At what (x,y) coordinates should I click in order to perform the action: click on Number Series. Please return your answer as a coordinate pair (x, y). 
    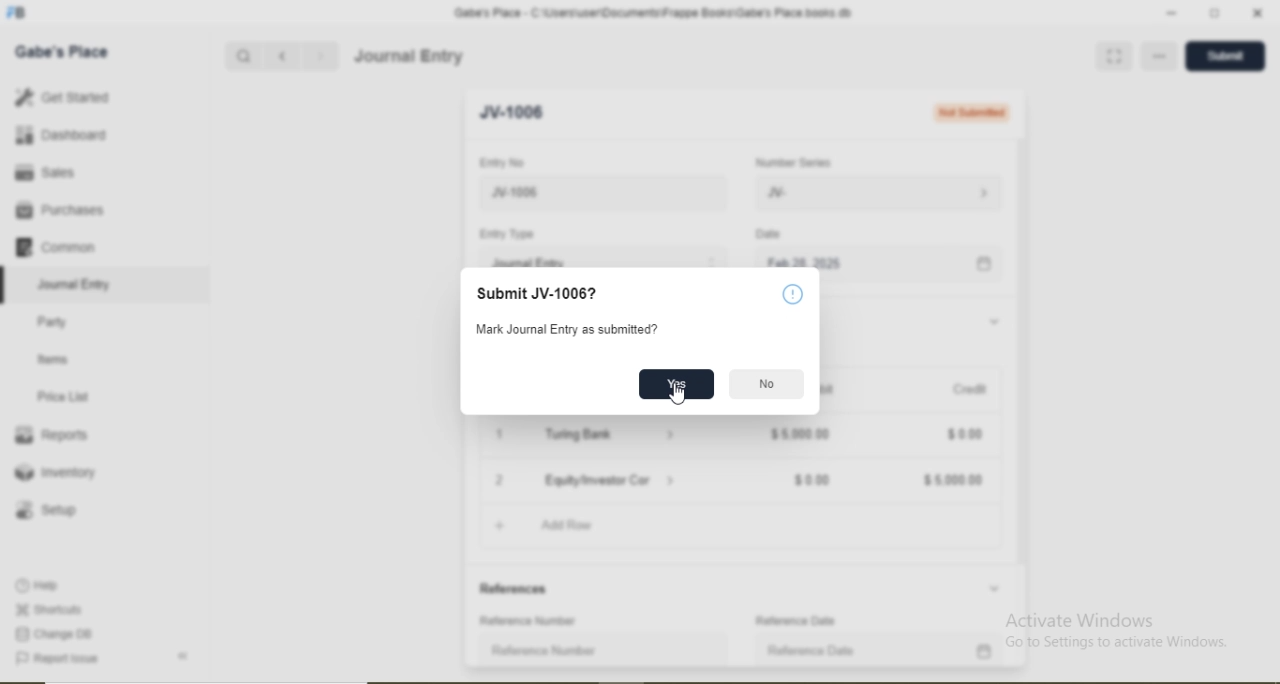
    Looking at the image, I should click on (793, 163).